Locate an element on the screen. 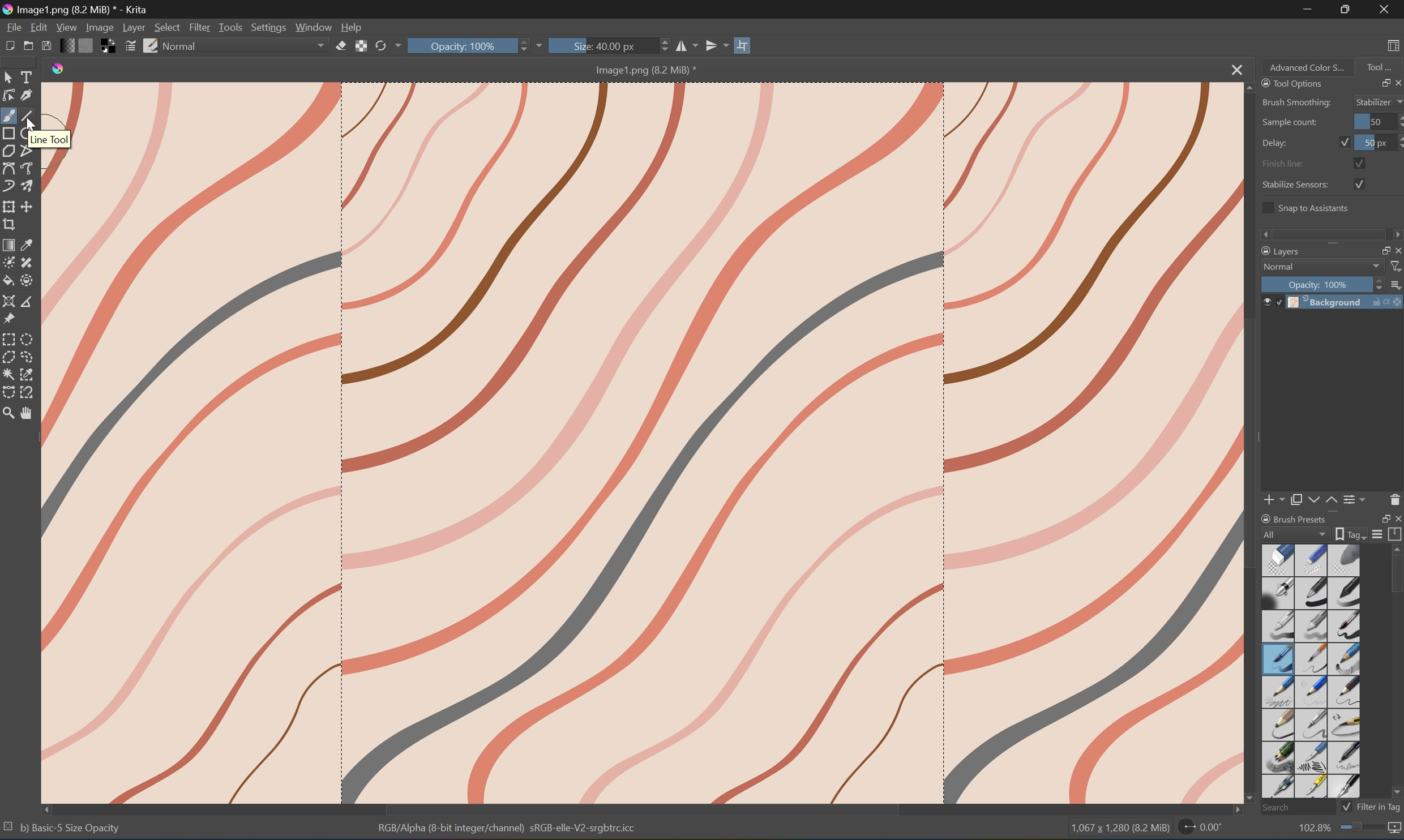 The image size is (1404, 840). Normal is located at coordinates (185, 45).